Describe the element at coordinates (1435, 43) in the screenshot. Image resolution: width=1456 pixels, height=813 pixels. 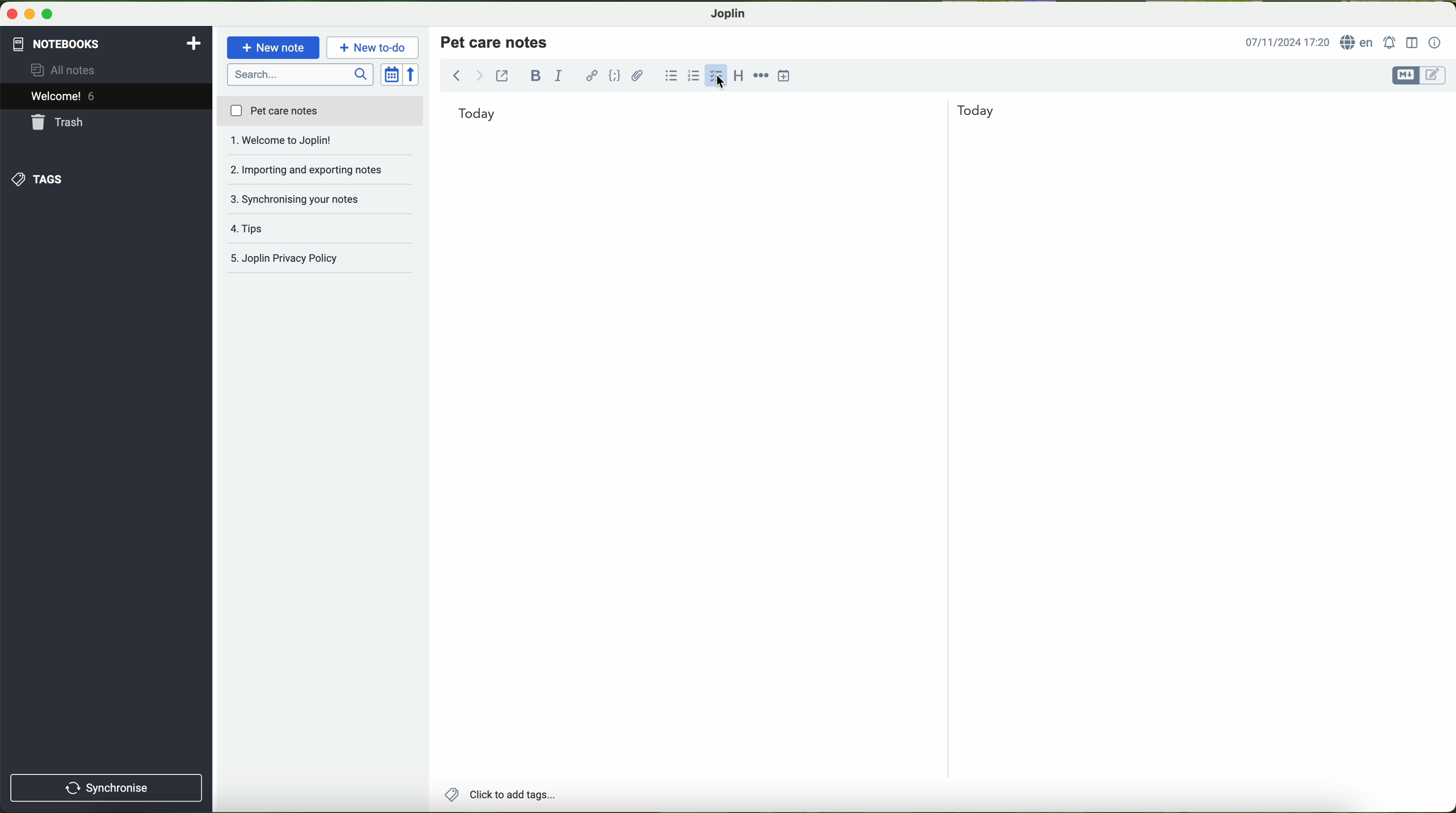
I see `note properties` at that location.